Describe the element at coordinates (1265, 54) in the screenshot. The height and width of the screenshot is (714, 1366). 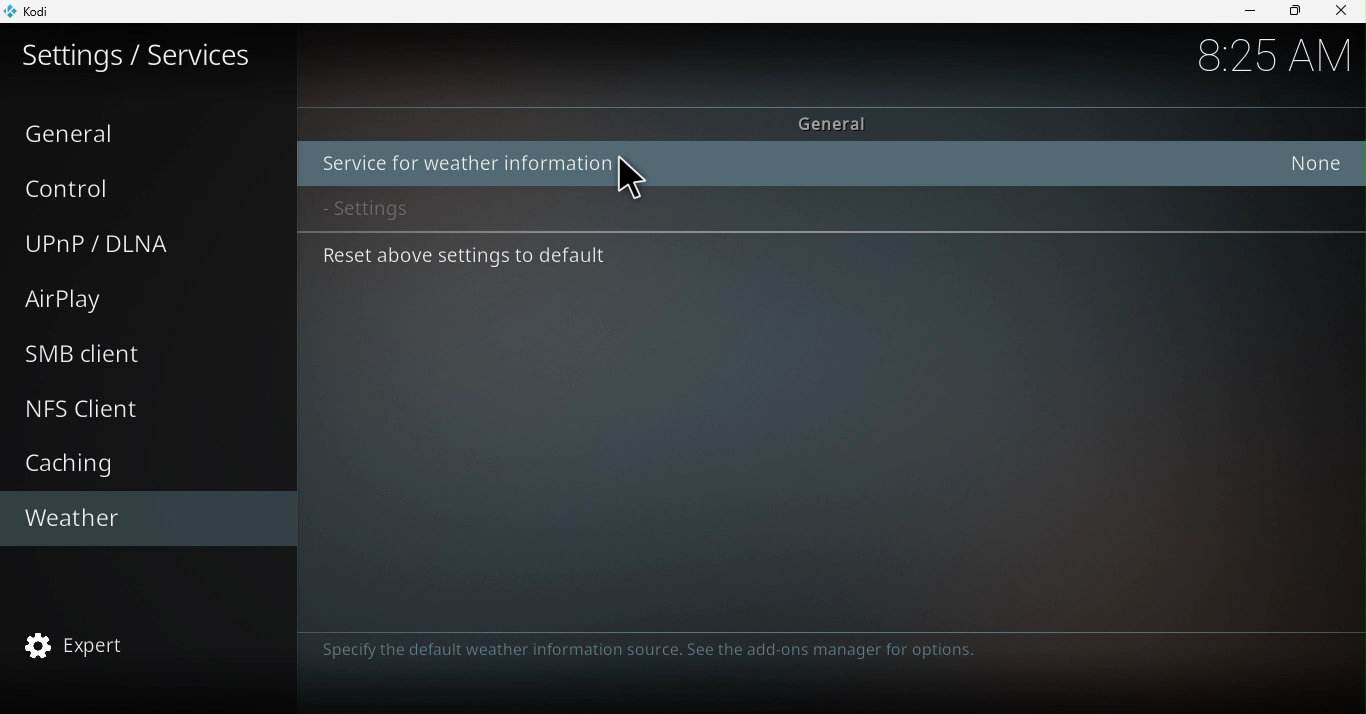
I see `8:25AM` at that location.